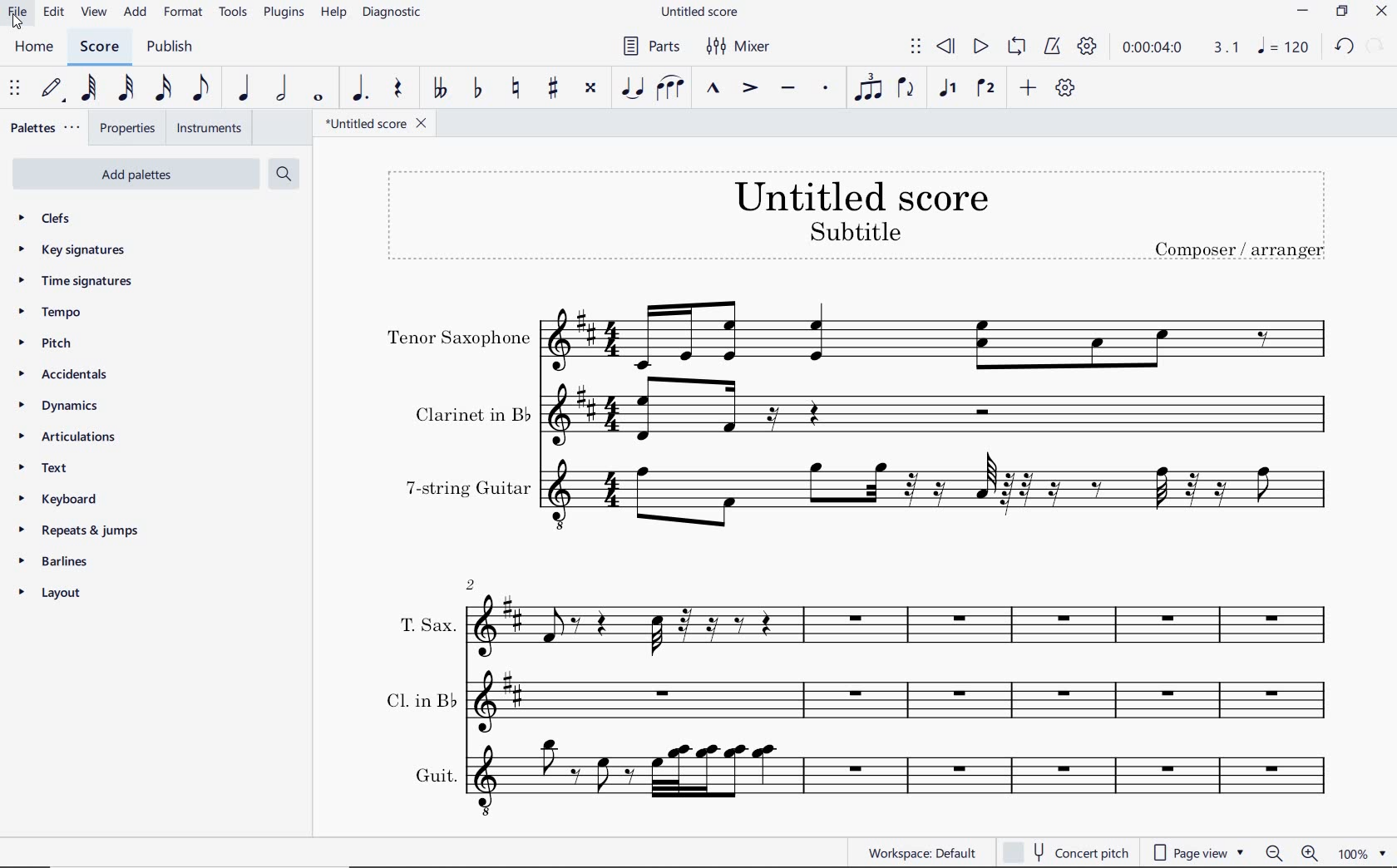 Image resolution: width=1397 pixels, height=868 pixels. Describe the element at coordinates (827, 91) in the screenshot. I see `STACCATO` at that location.